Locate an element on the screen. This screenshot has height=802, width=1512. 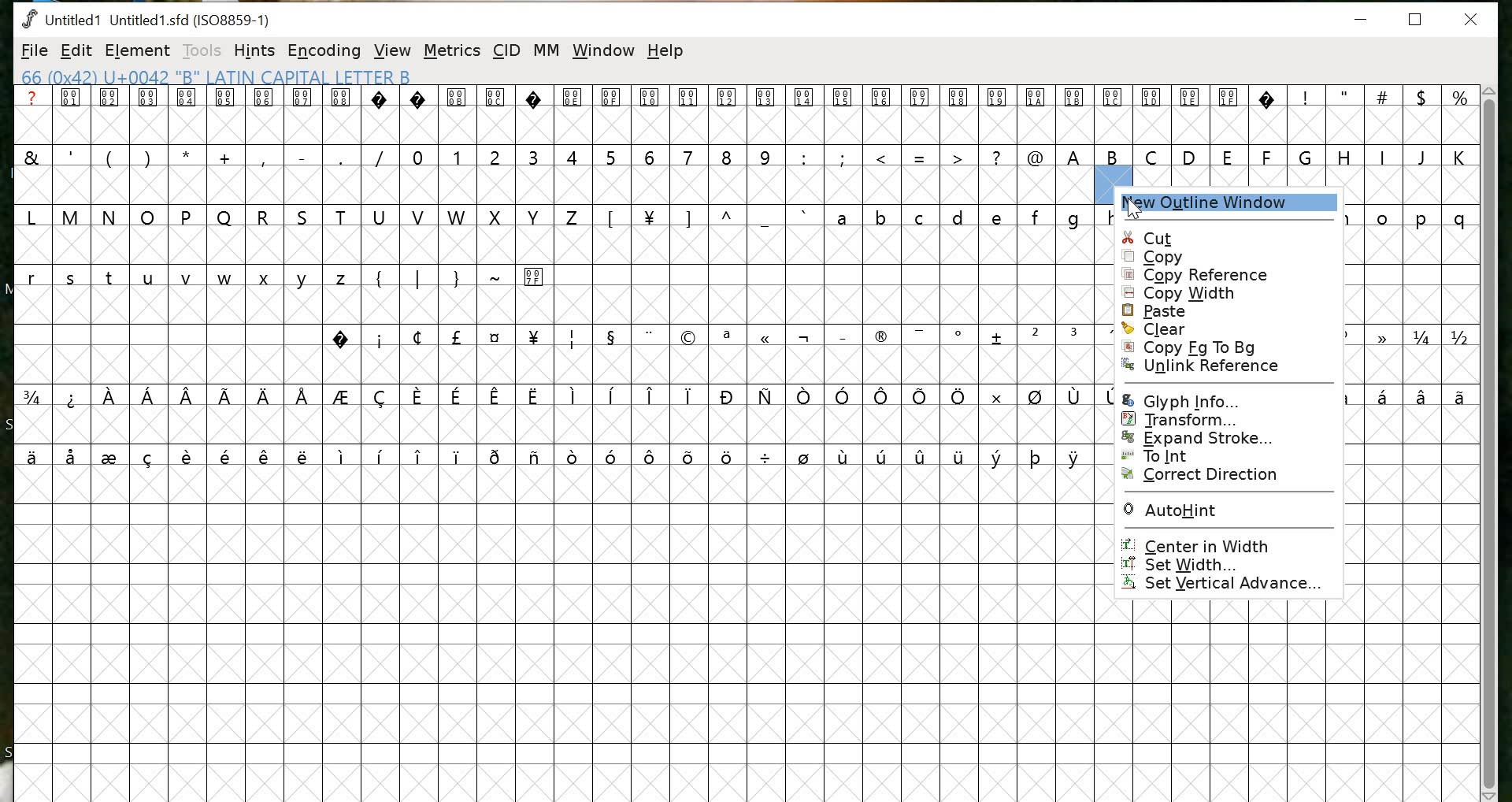
minimize is located at coordinates (1366, 20).